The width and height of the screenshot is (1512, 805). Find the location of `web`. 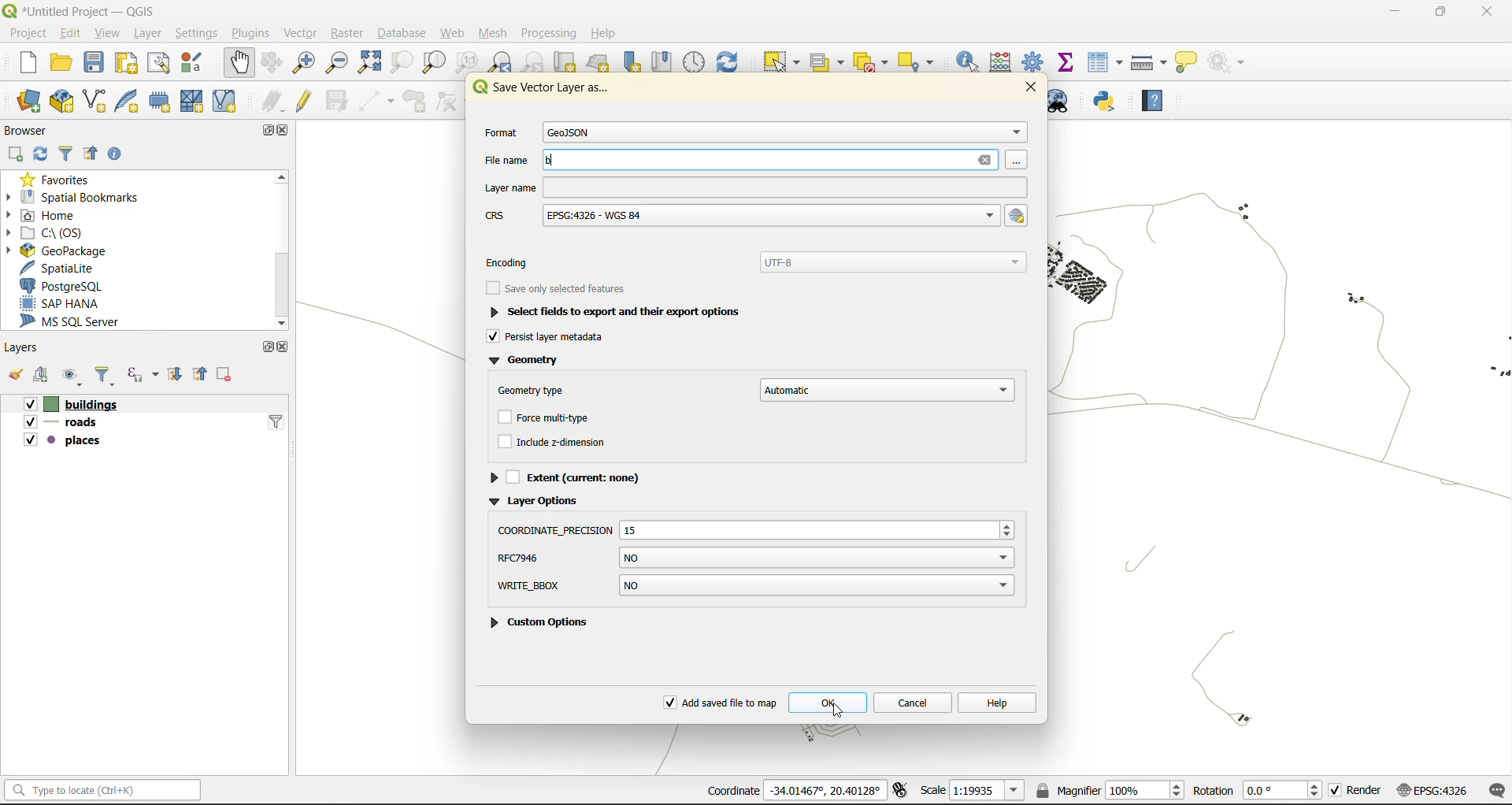

web is located at coordinates (454, 32).